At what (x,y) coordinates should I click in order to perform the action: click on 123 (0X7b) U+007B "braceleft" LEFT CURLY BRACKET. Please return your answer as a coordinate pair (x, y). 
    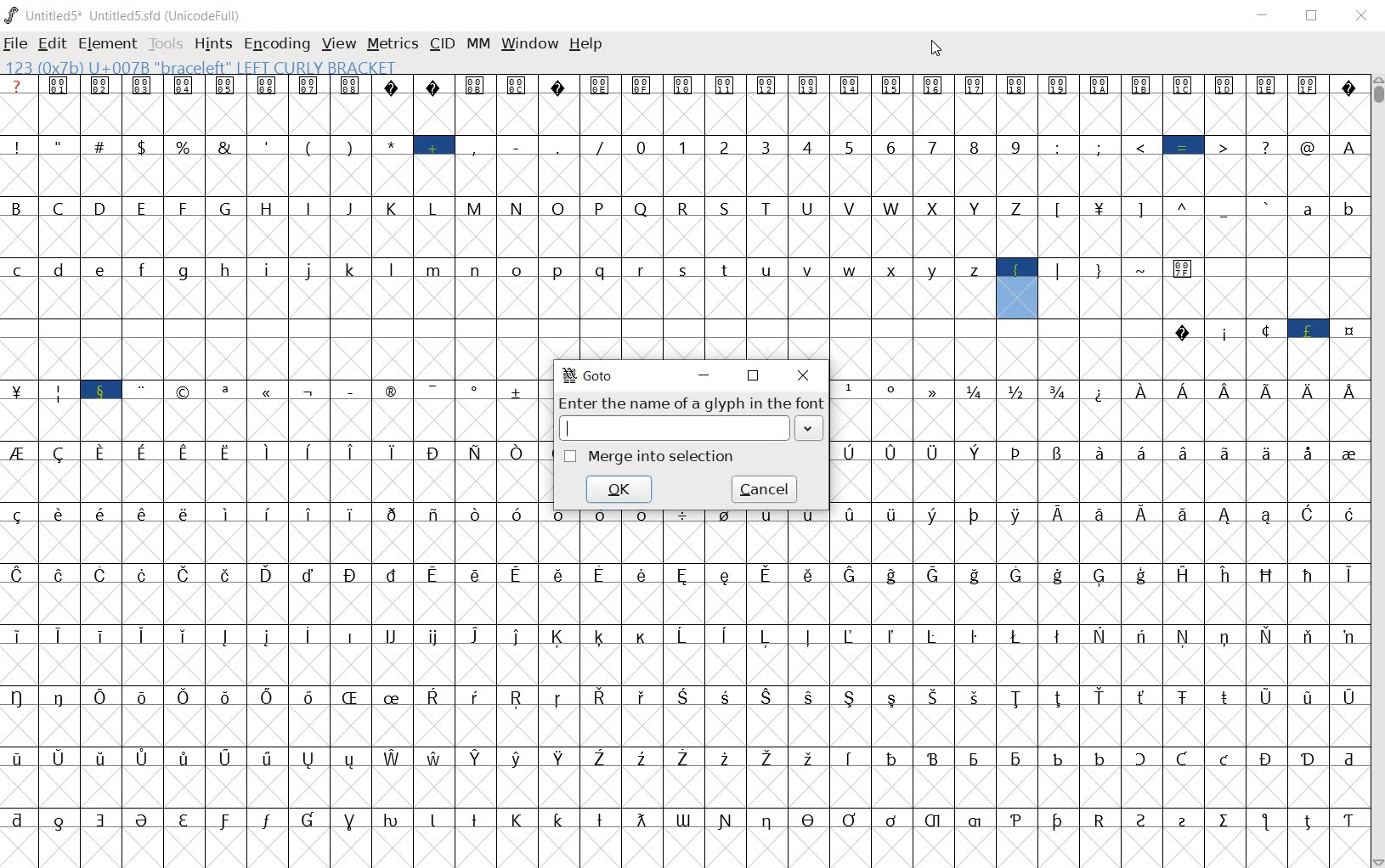
    Looking at the image, I should click on (204, 66).